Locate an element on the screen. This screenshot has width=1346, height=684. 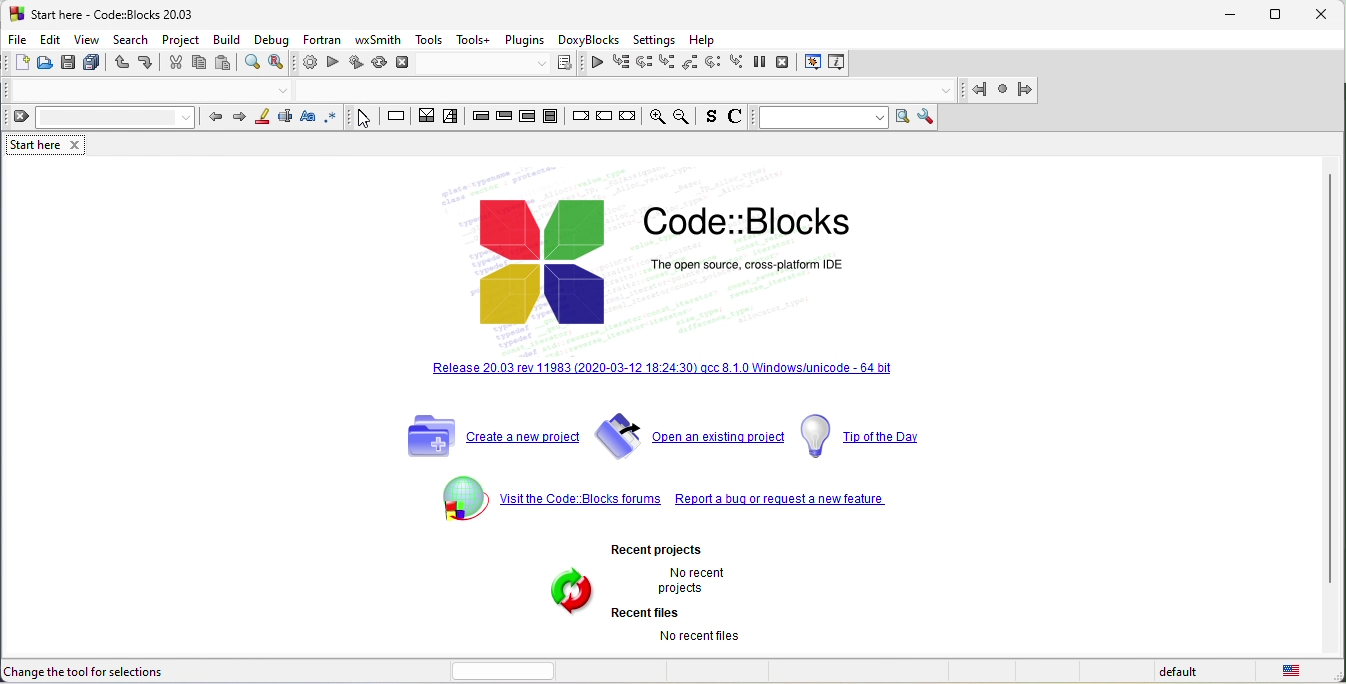
search is located at coordinates (134, 41).